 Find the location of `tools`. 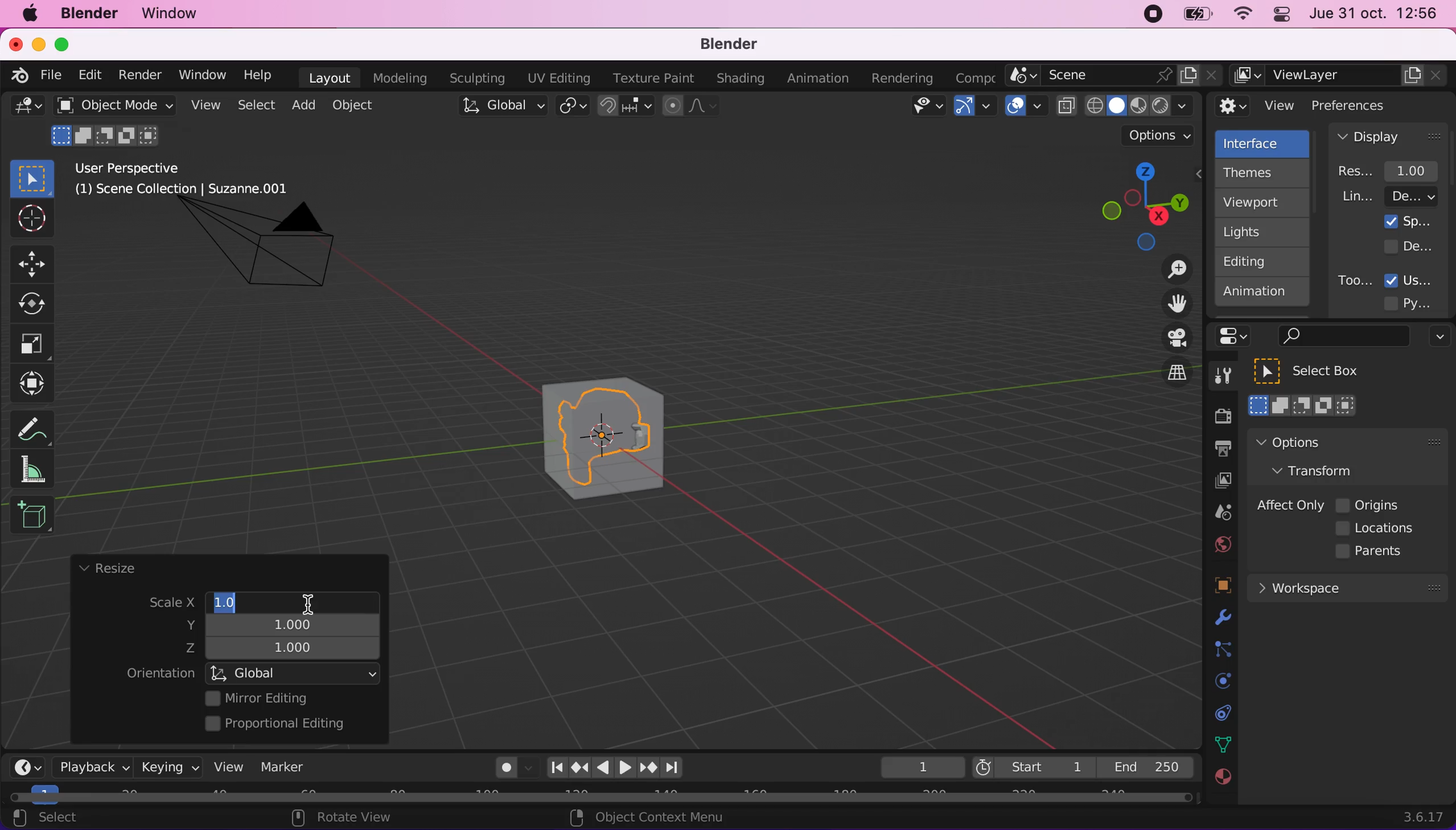

tools is located at coordinates (1217, 379).